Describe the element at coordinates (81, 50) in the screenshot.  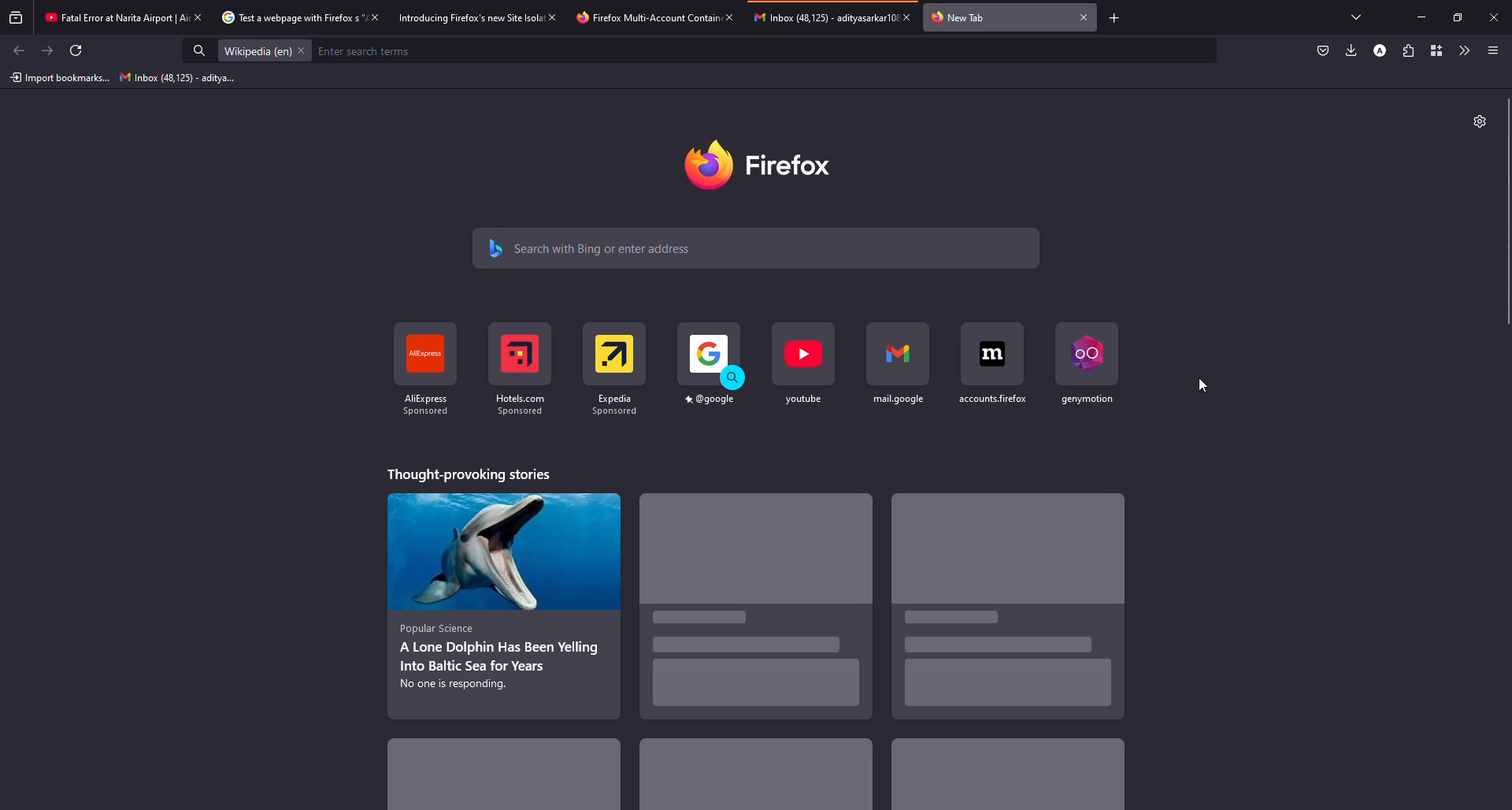
I see `refresh` at that location.